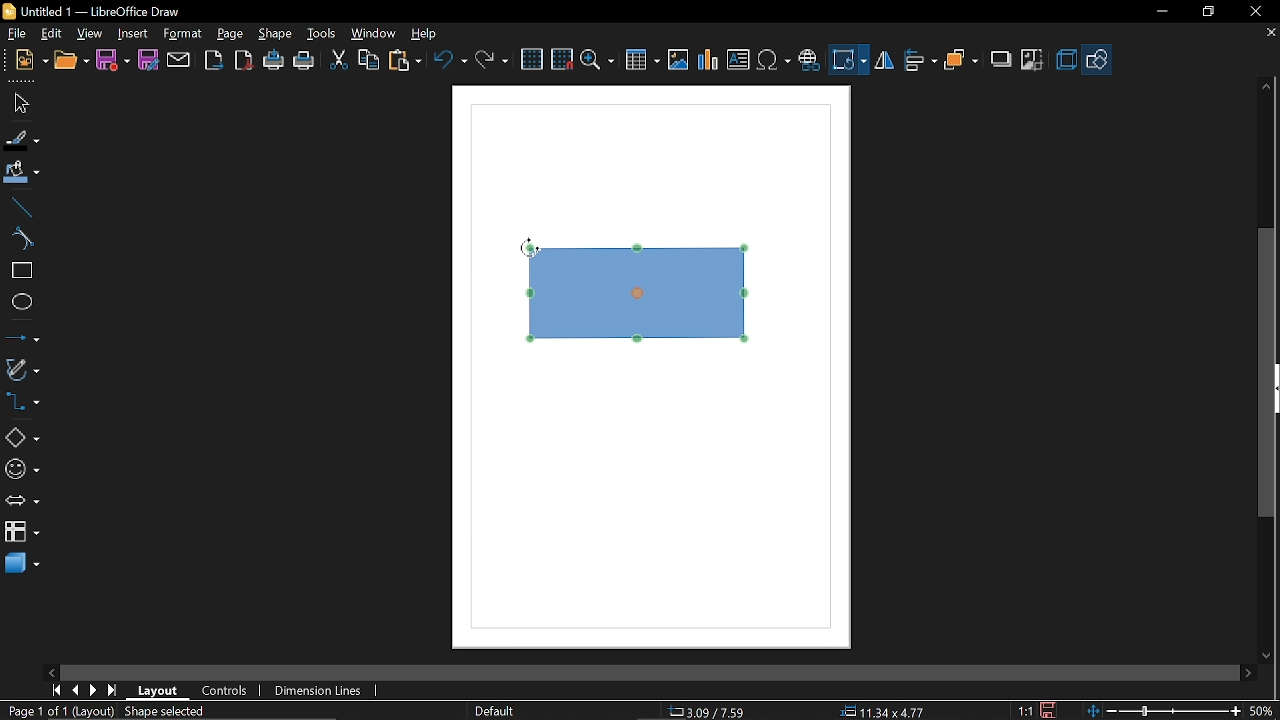 This screenshot has width=1280, height=720. What do you see at coordinates (1033, 58) in the screenshot?
I see `crop` at bounding box center [1033, 58].